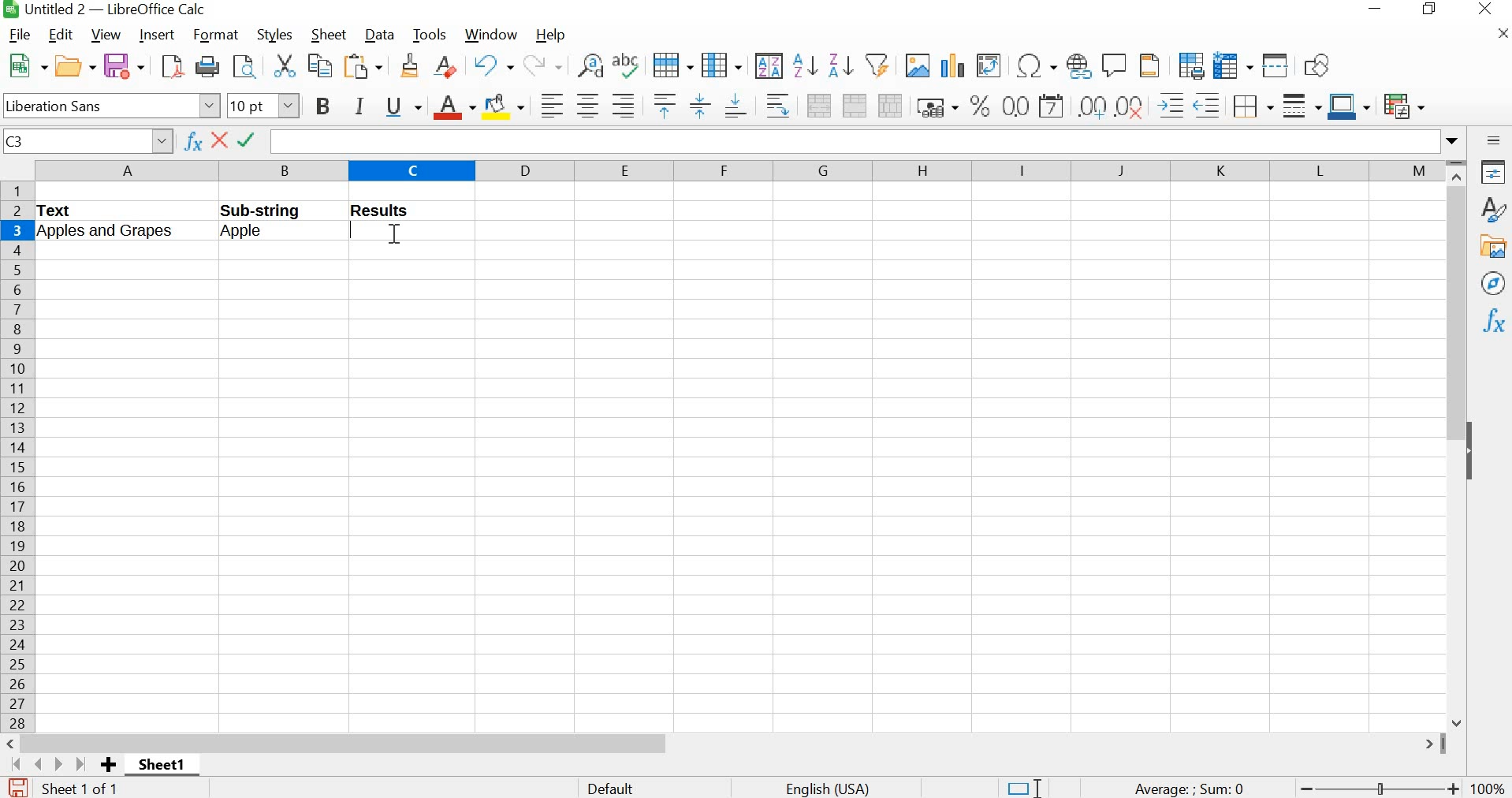 Image resolution: width=1512 pixels, height=798 pixels. I want to click on file, so click(17, 34).